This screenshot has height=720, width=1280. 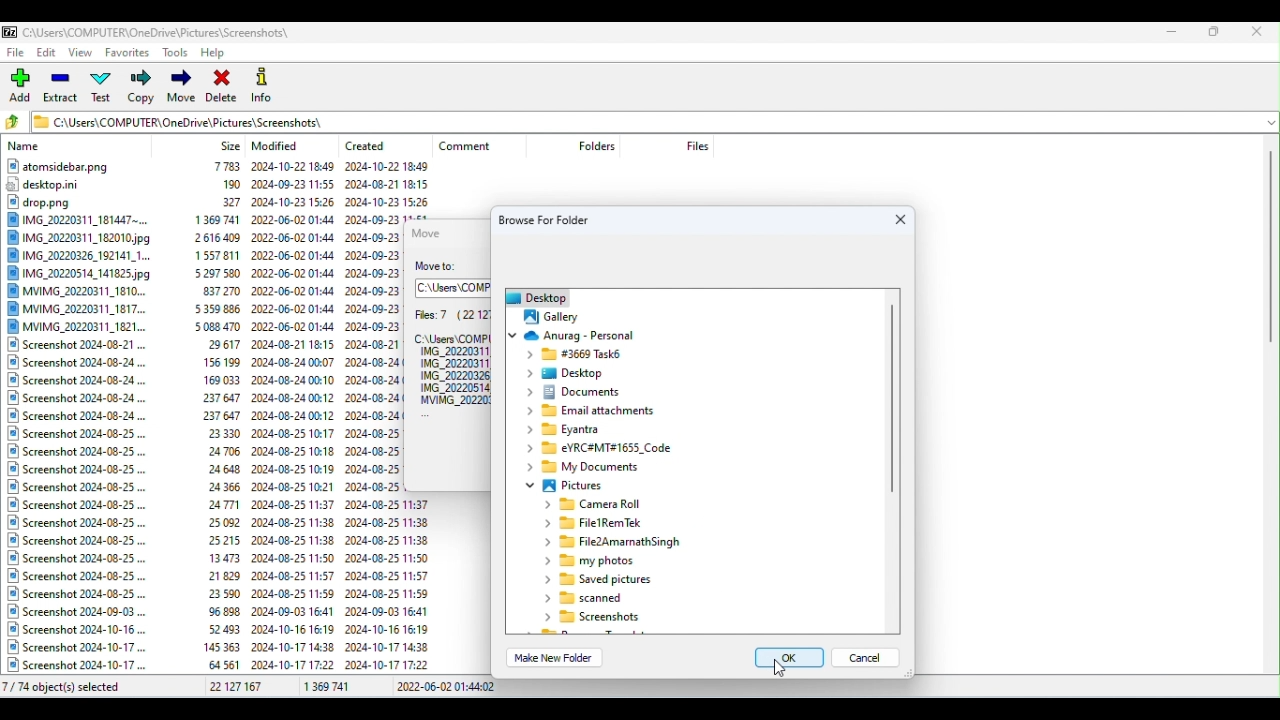 I want to click on Pictures, so click(x=563, y=488).